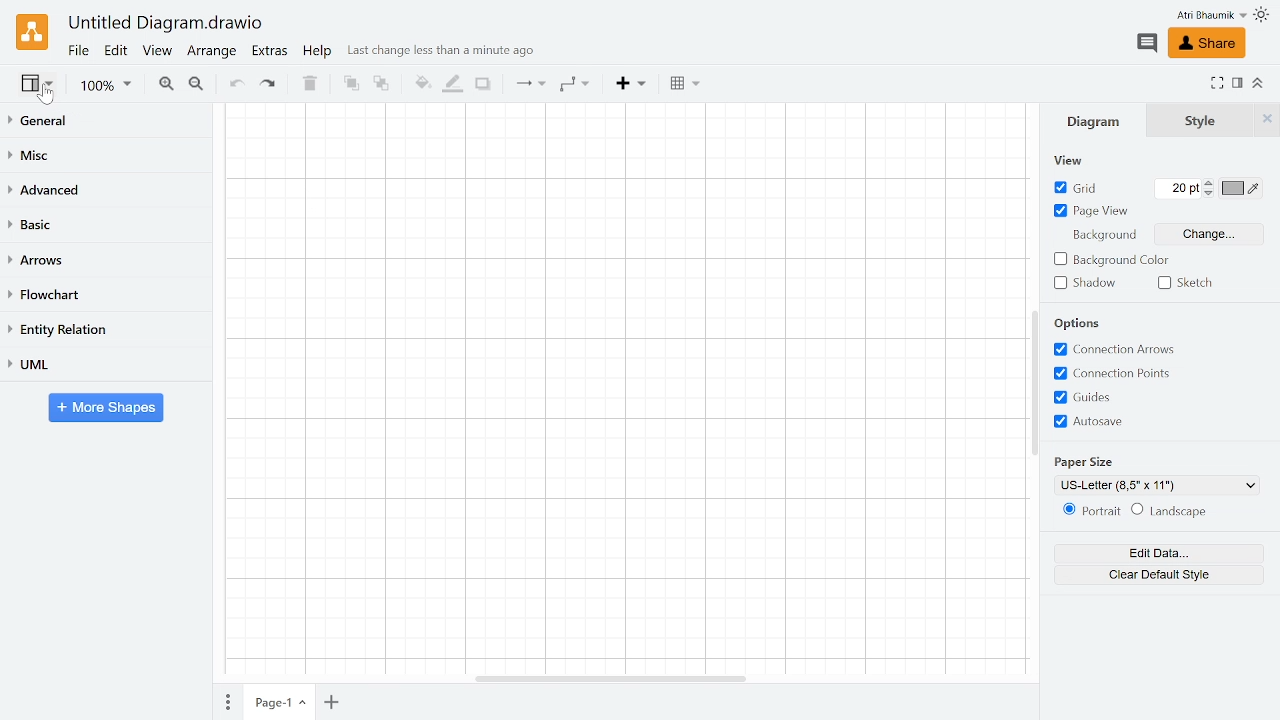 Image resolution: width=1280 pixels, height=720 pixels. What do you see at coordinates (1117, 347) in the screenshot?
I see `Connection arrows` at bounding box center [1117, 347].